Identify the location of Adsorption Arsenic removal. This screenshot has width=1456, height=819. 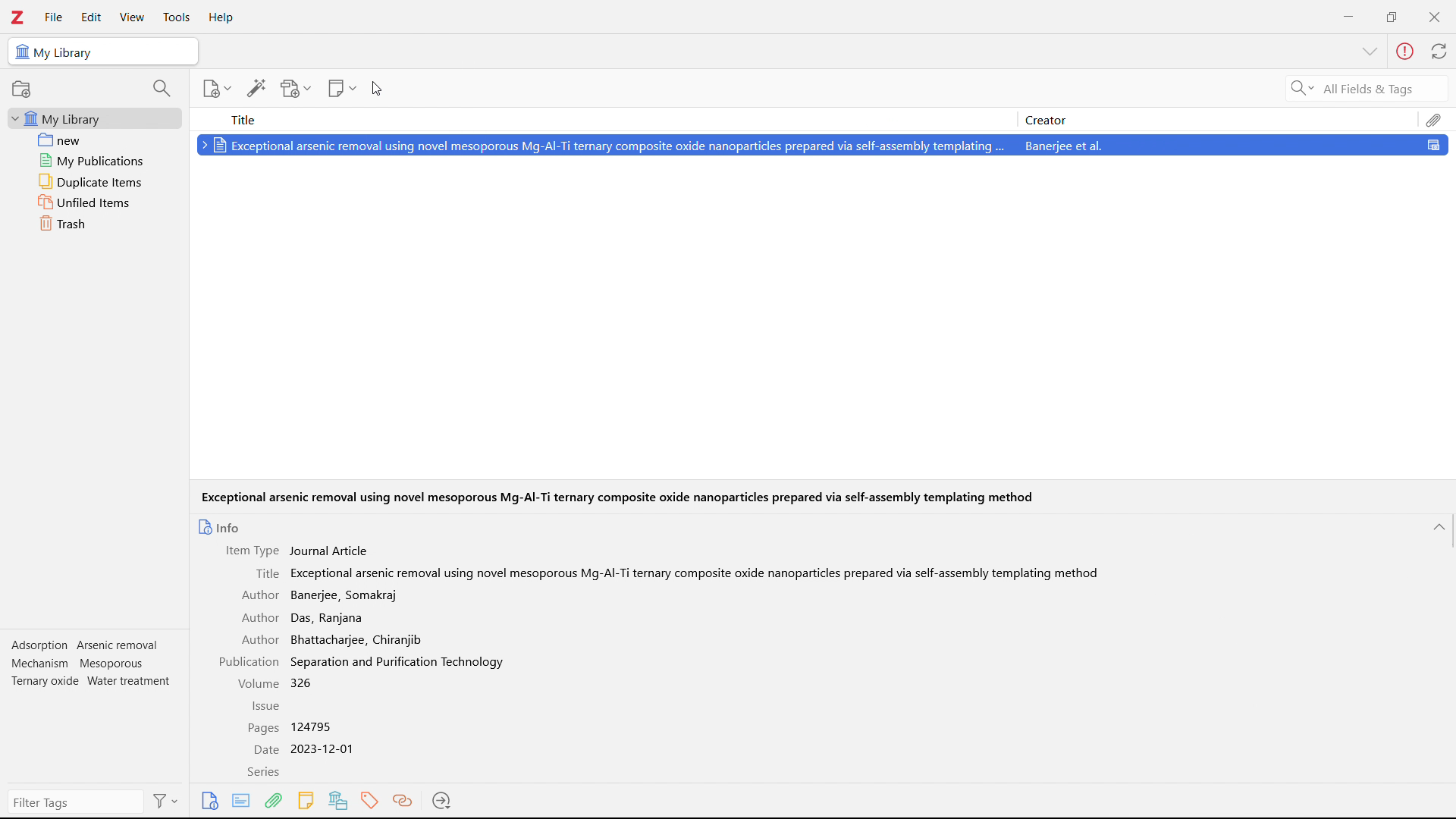
(87, 645).